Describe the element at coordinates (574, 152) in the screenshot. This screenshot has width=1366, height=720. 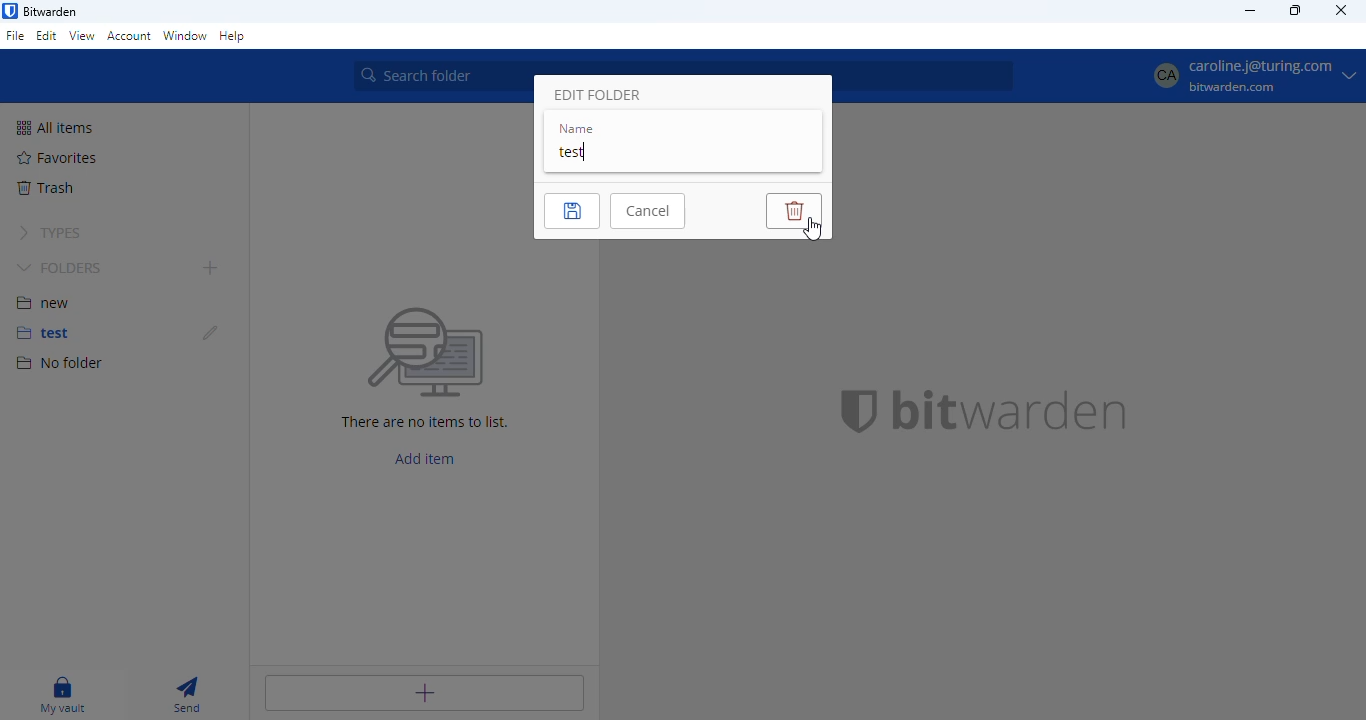
I see `test` at that location.